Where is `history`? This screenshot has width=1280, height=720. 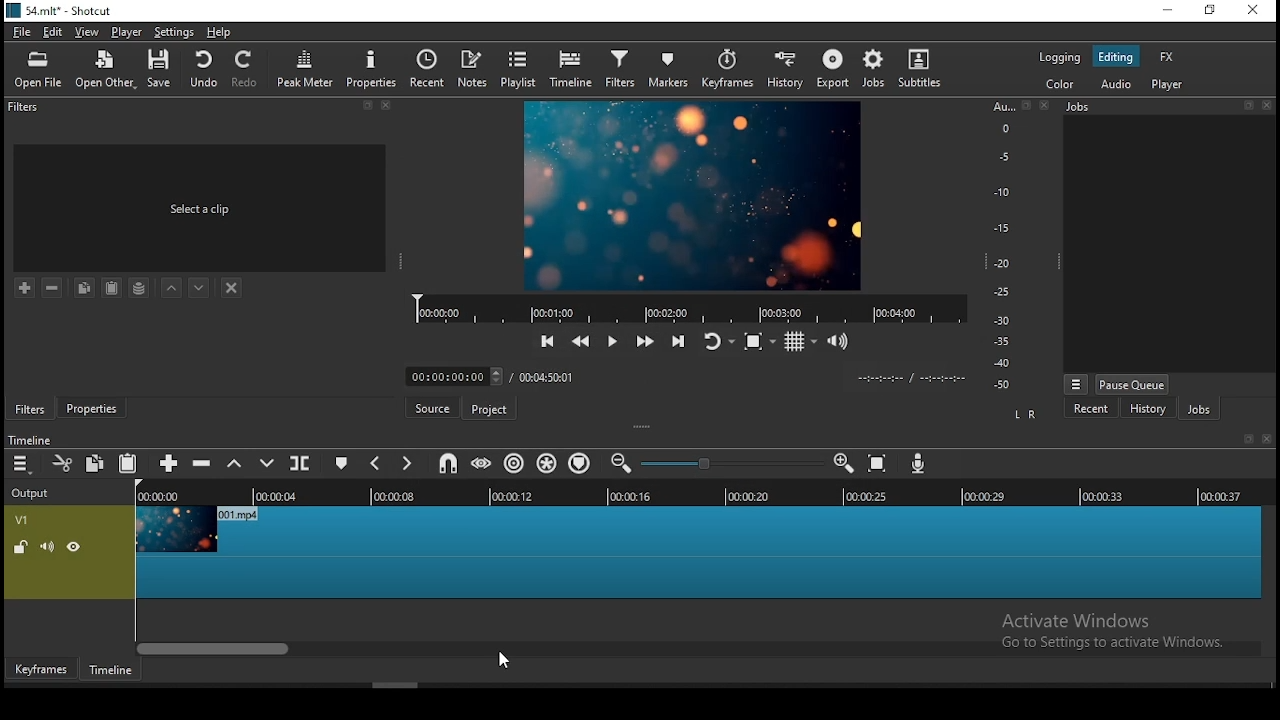
history is located at coordinates (1147, 411).